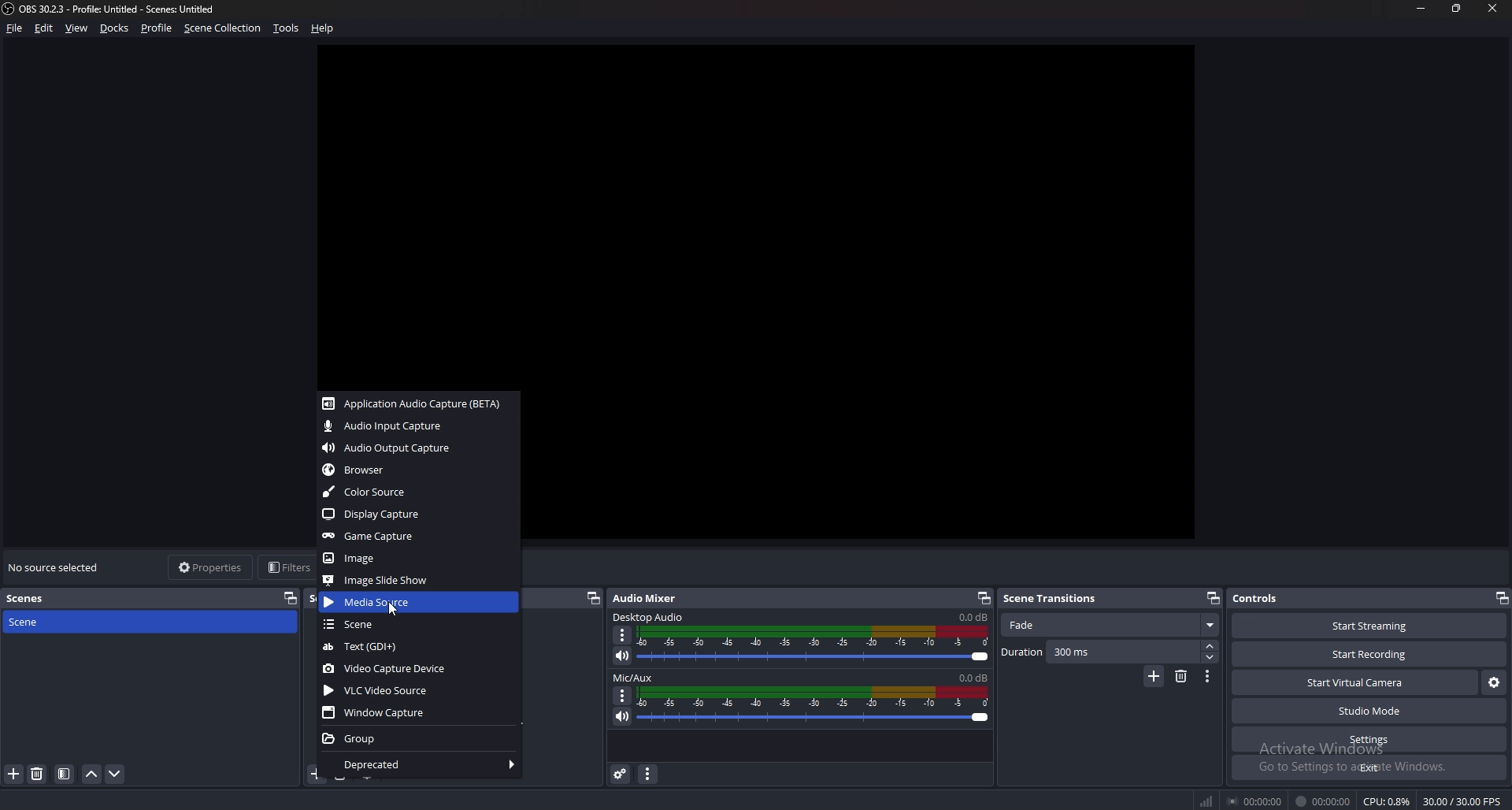 The image size is (1512, 810). Describe the element at coordinates (418, 426) in the screenshot. I see `audio input capture` at that location.